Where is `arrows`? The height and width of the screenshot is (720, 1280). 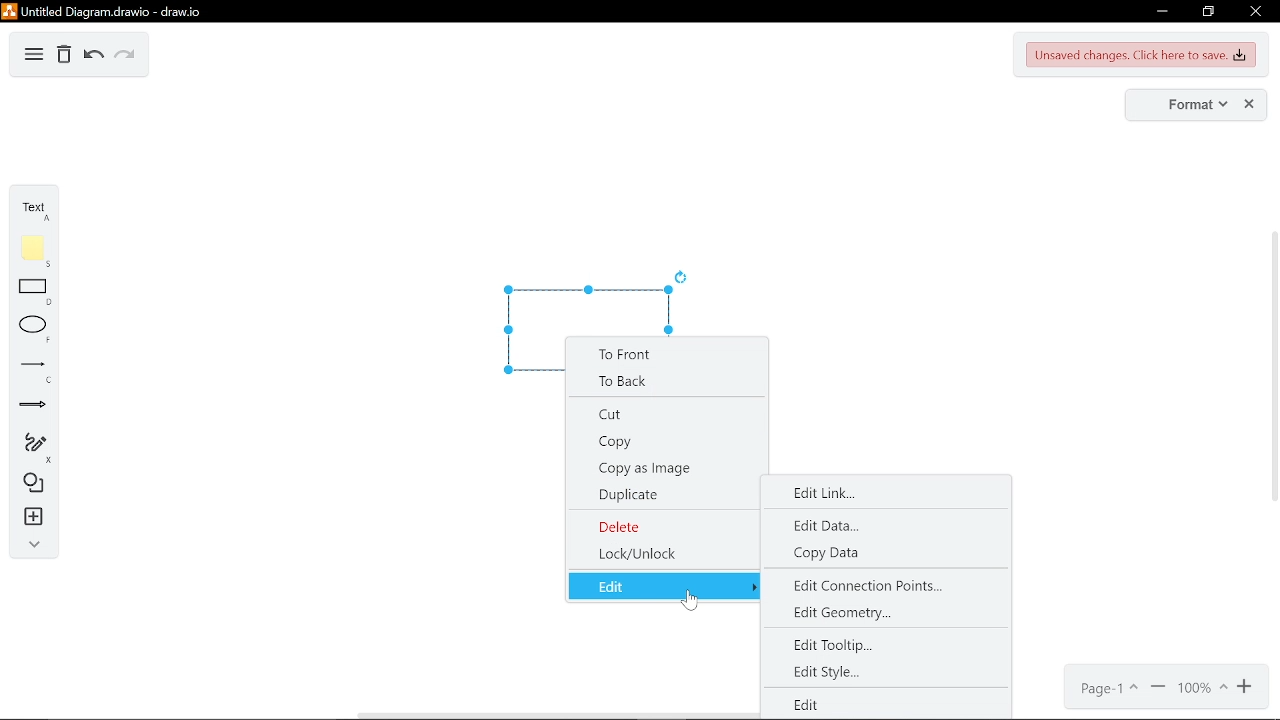 arrows is located at coordinates (34, 407).